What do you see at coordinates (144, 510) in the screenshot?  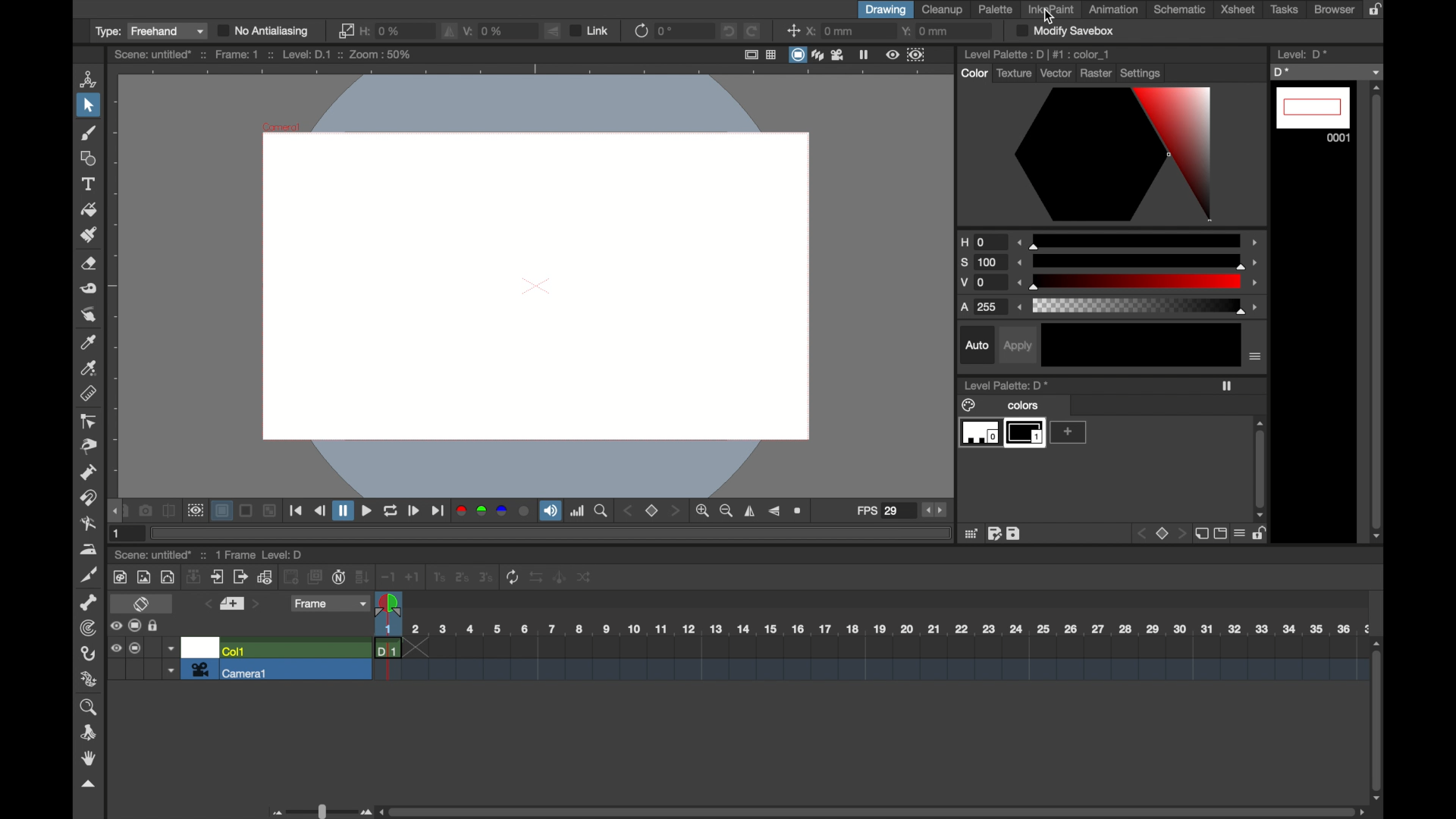 I see `snapshot` at bounding box center [144, 510].